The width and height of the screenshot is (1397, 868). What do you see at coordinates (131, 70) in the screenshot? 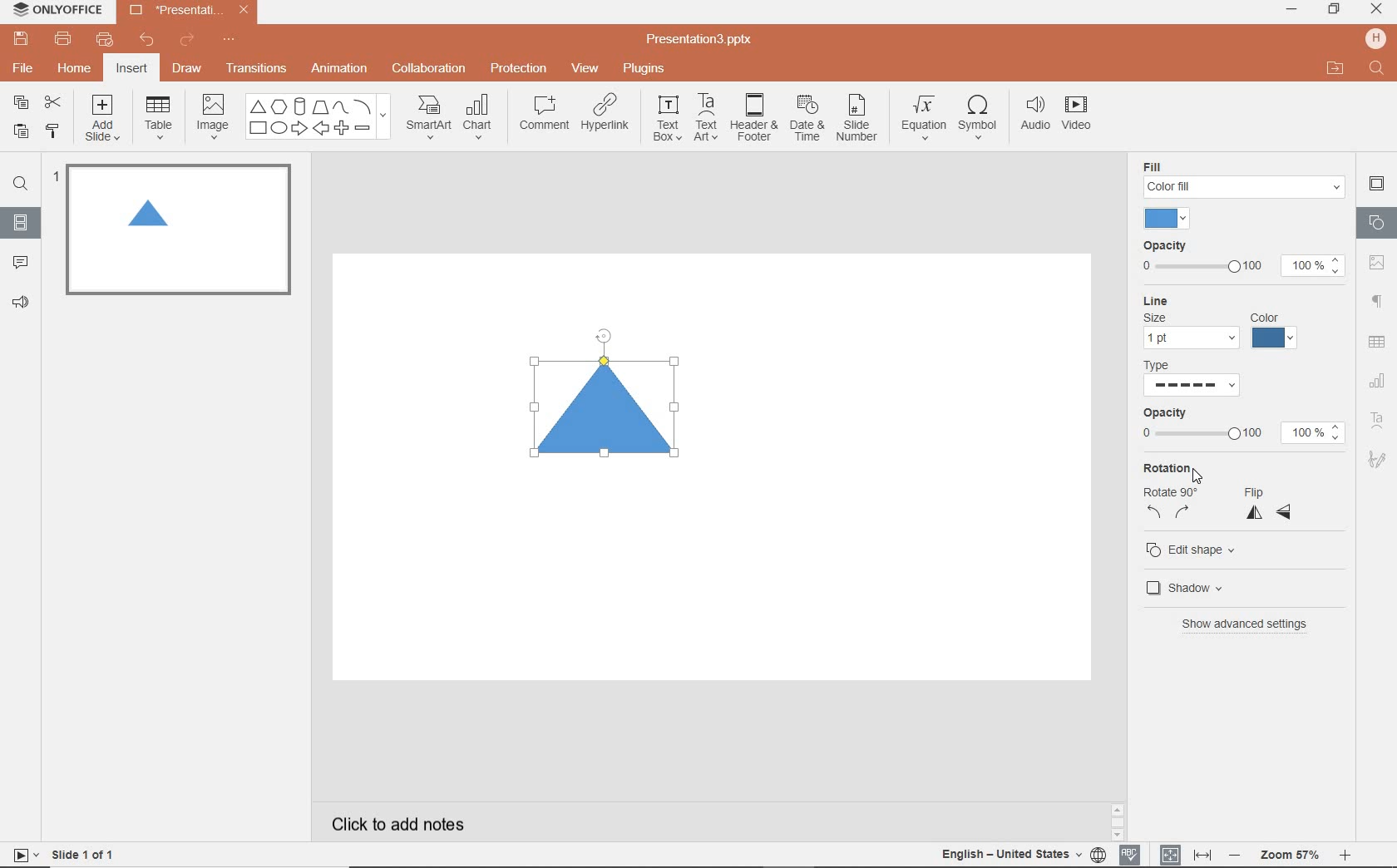
I see `INSERT` at bounding box center [131, 70].